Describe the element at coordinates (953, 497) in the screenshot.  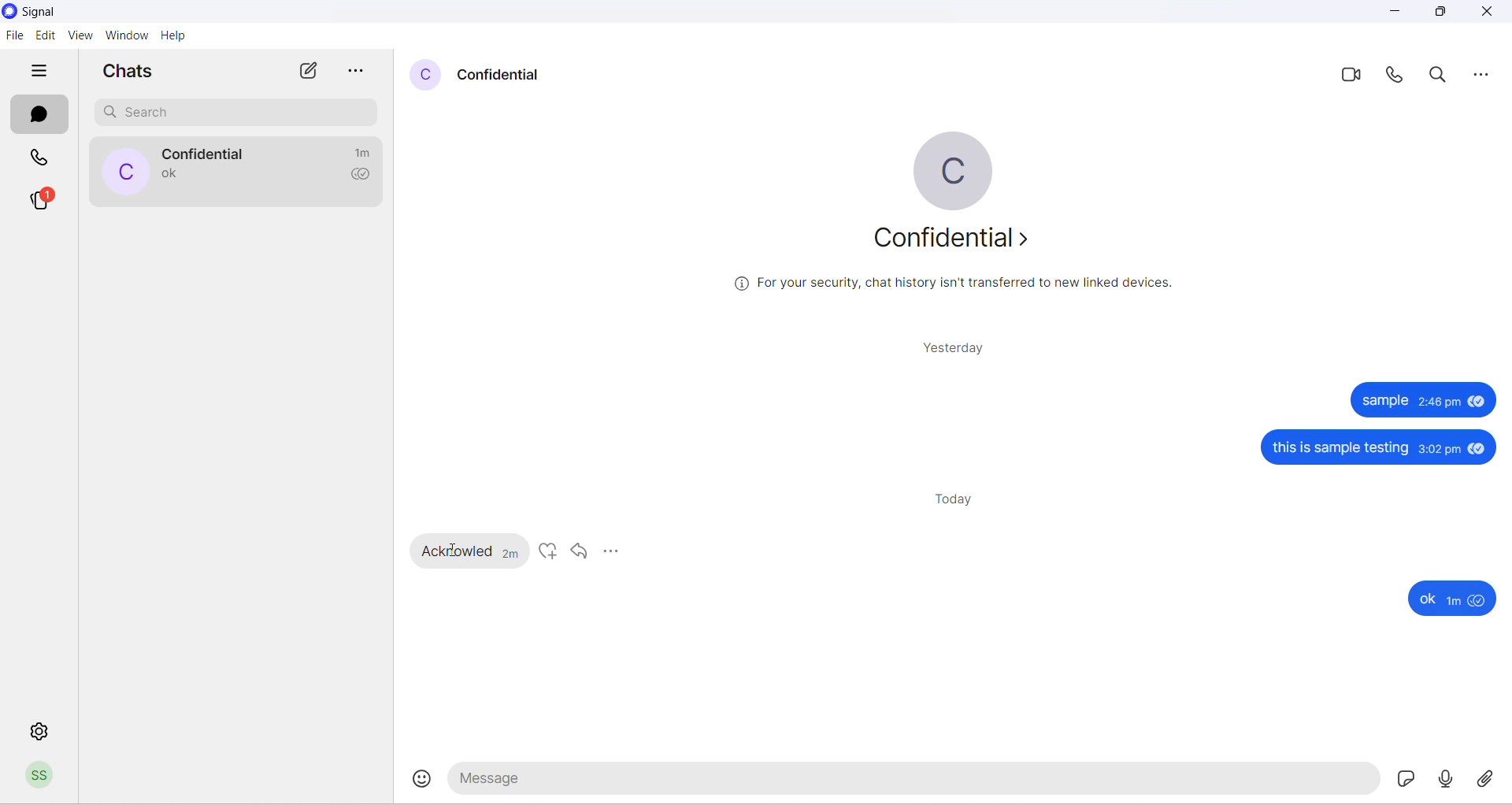
I see `today heading` at that location.